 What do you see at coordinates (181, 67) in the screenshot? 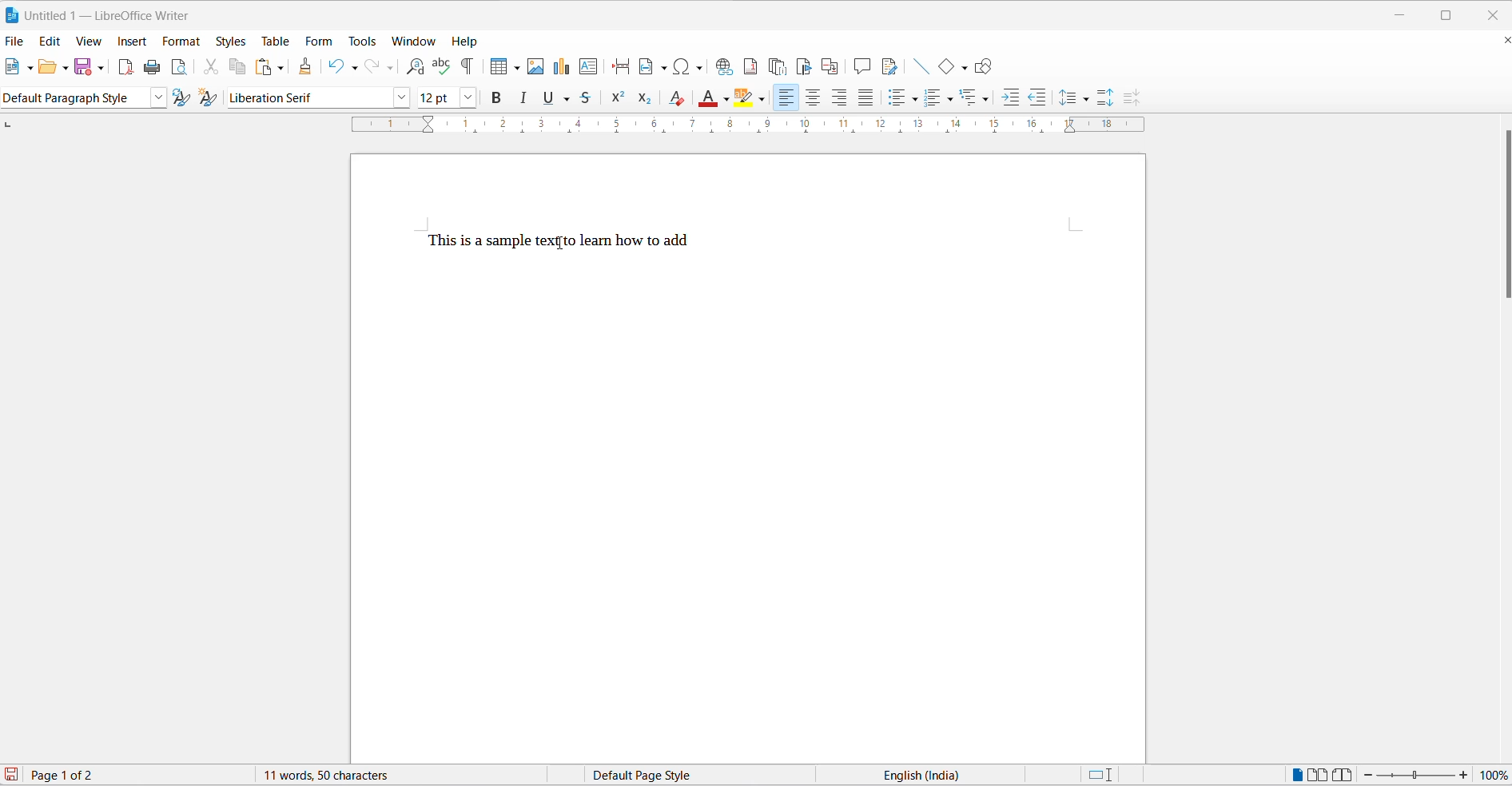
I see `toggle print preview` at bounding box center [181, 67].